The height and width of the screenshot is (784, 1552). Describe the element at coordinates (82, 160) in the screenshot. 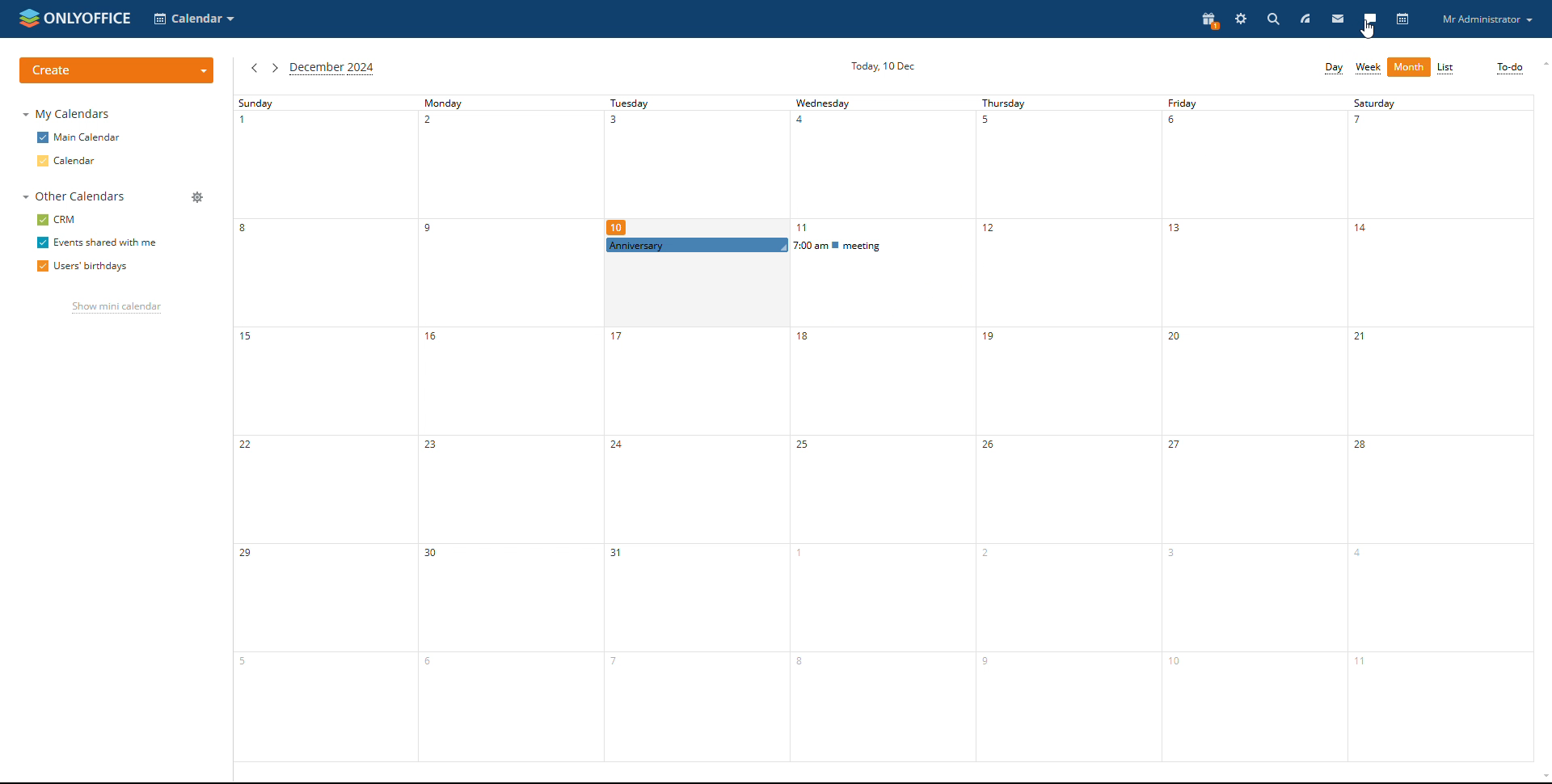

I see `calendar` at that location.